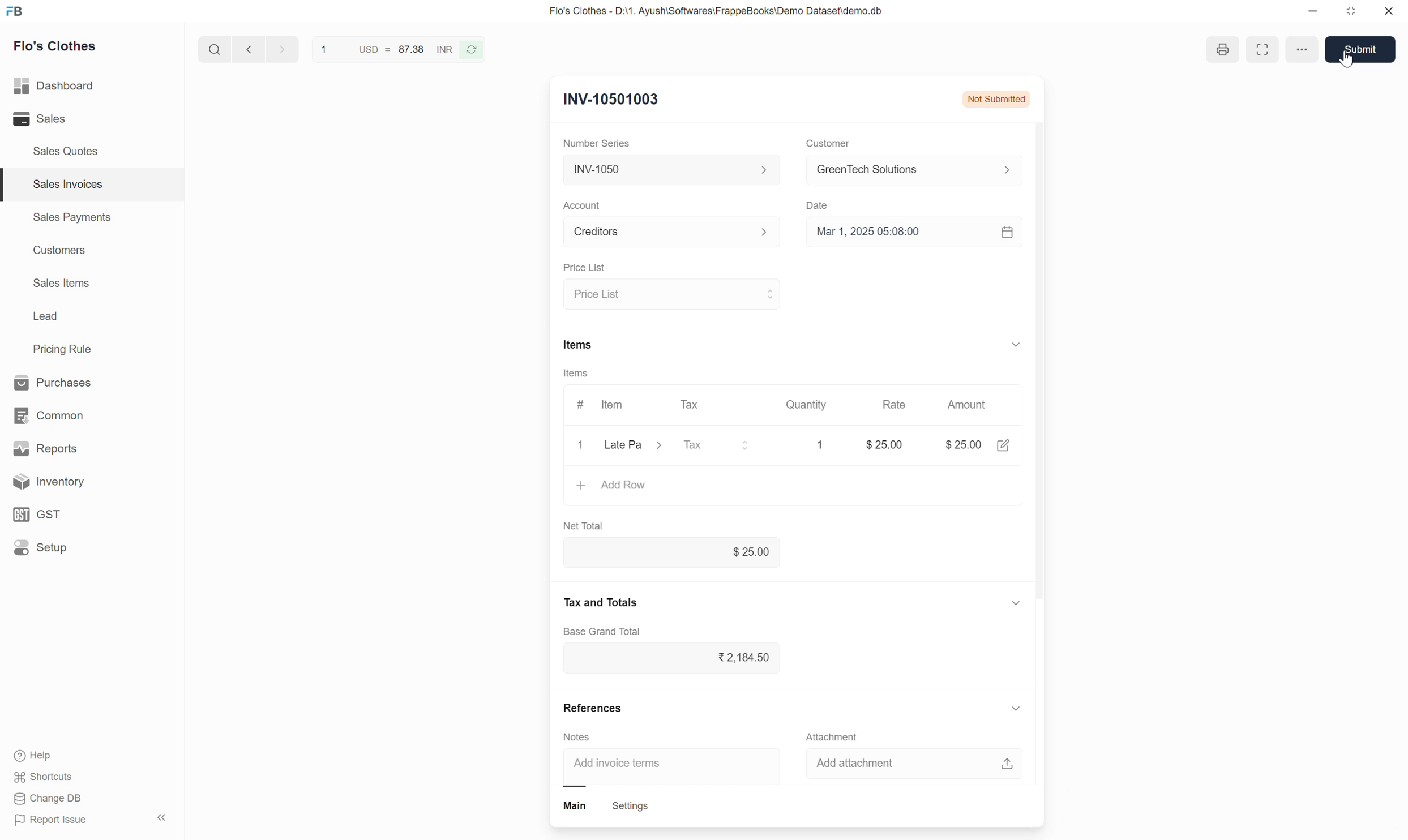 Image resolution: width=1408 pixels, height=840 pixels. What do you see at coordinates (64, 119) in the screenshot?
I see `Sales ` at bounding box center [64, 119].